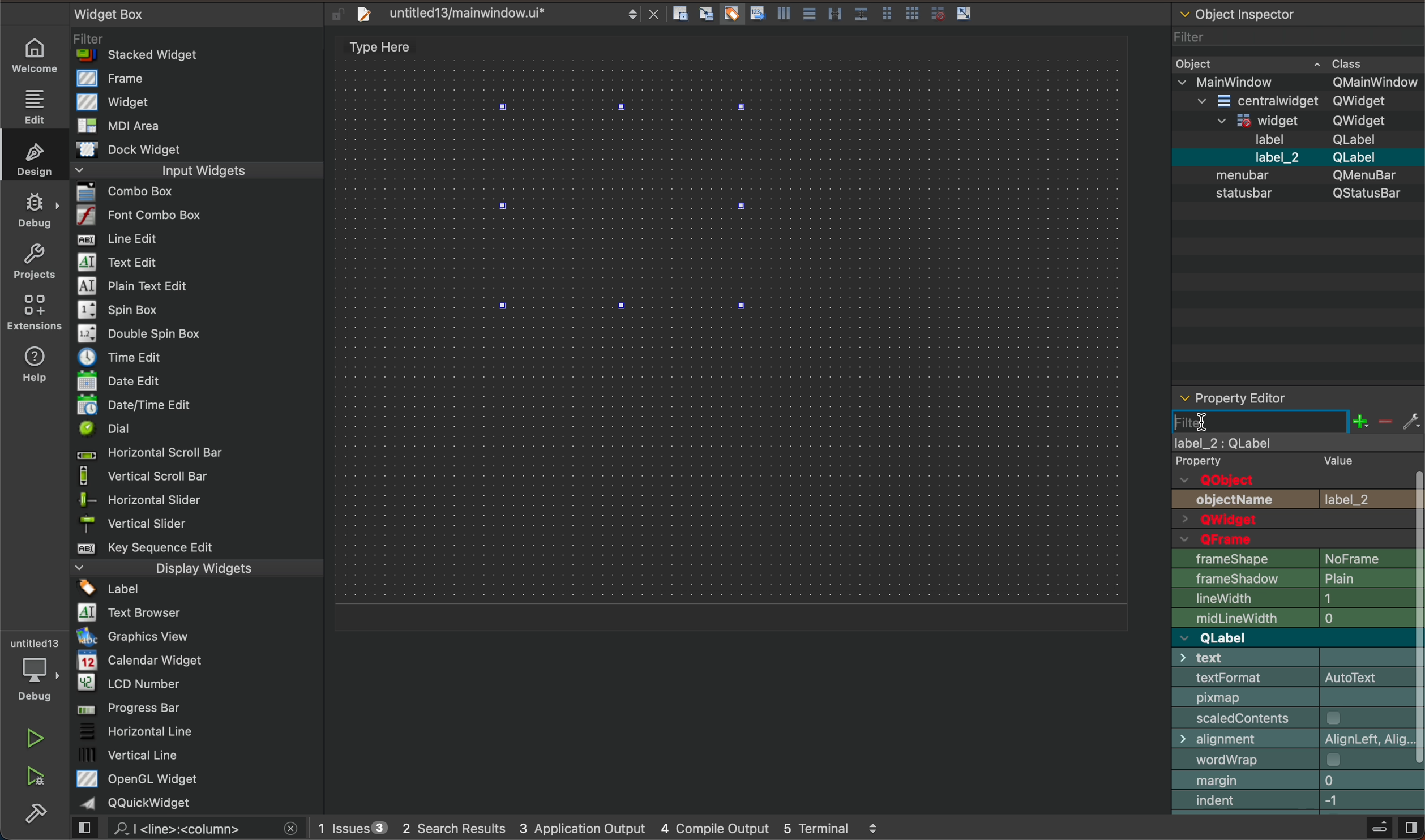 The image size is (1425, 840). What do you see at coordinates (1296, 194) in the screenshot?
I see `object inspector` at bounding box center [1296, 194].